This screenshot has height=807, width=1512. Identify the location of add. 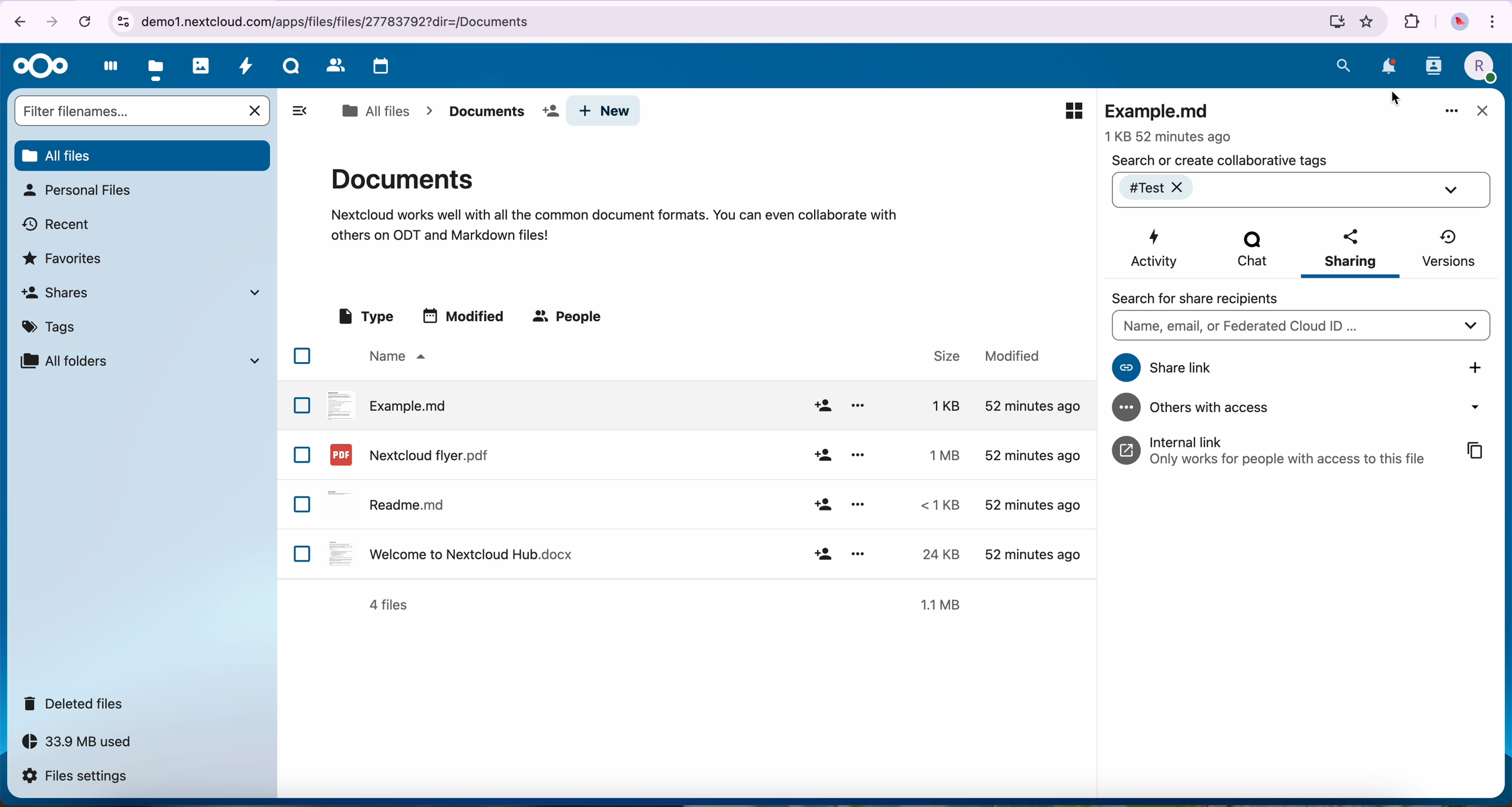
(822, 456).